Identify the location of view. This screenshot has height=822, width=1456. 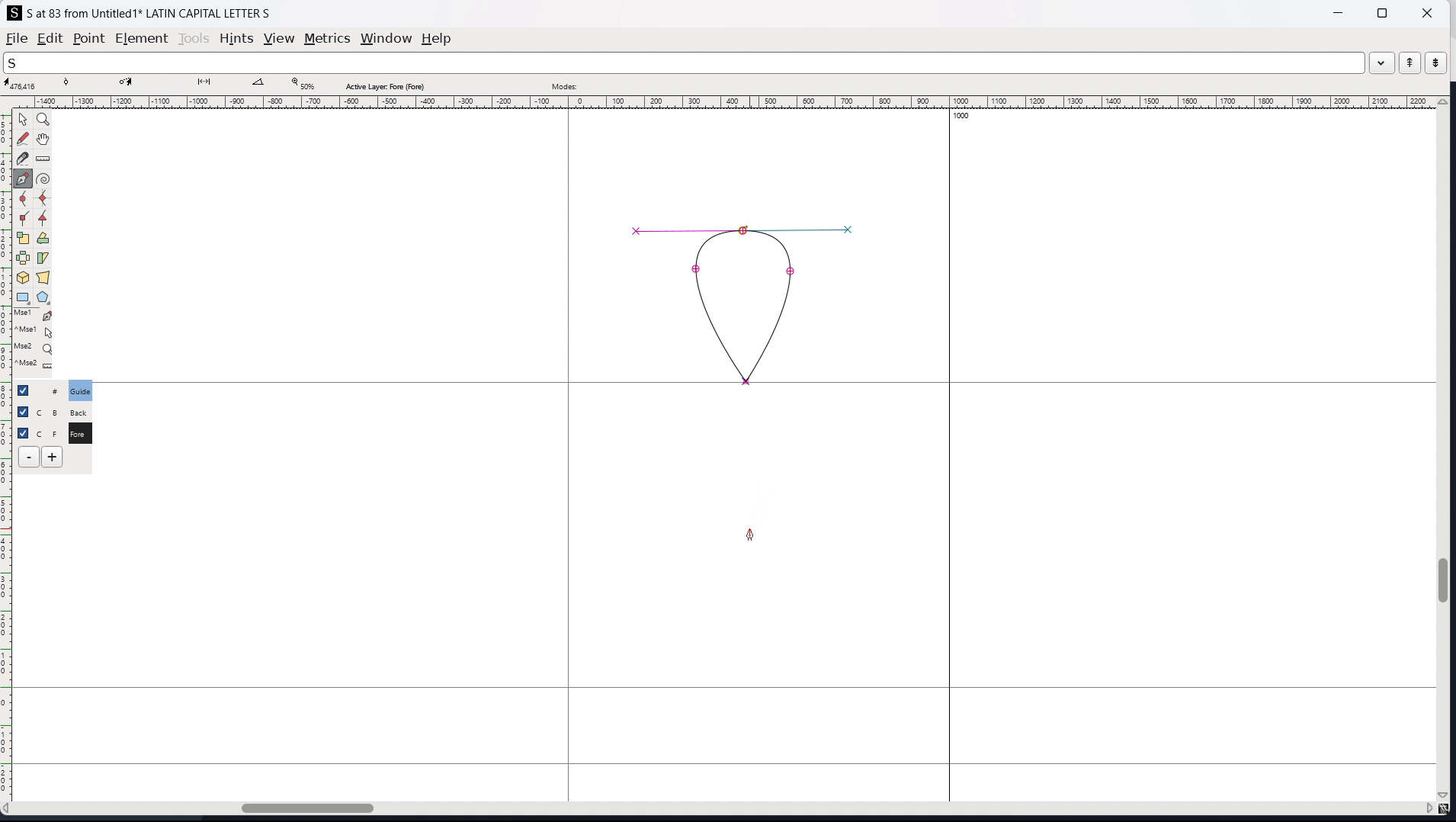
(279, 39).